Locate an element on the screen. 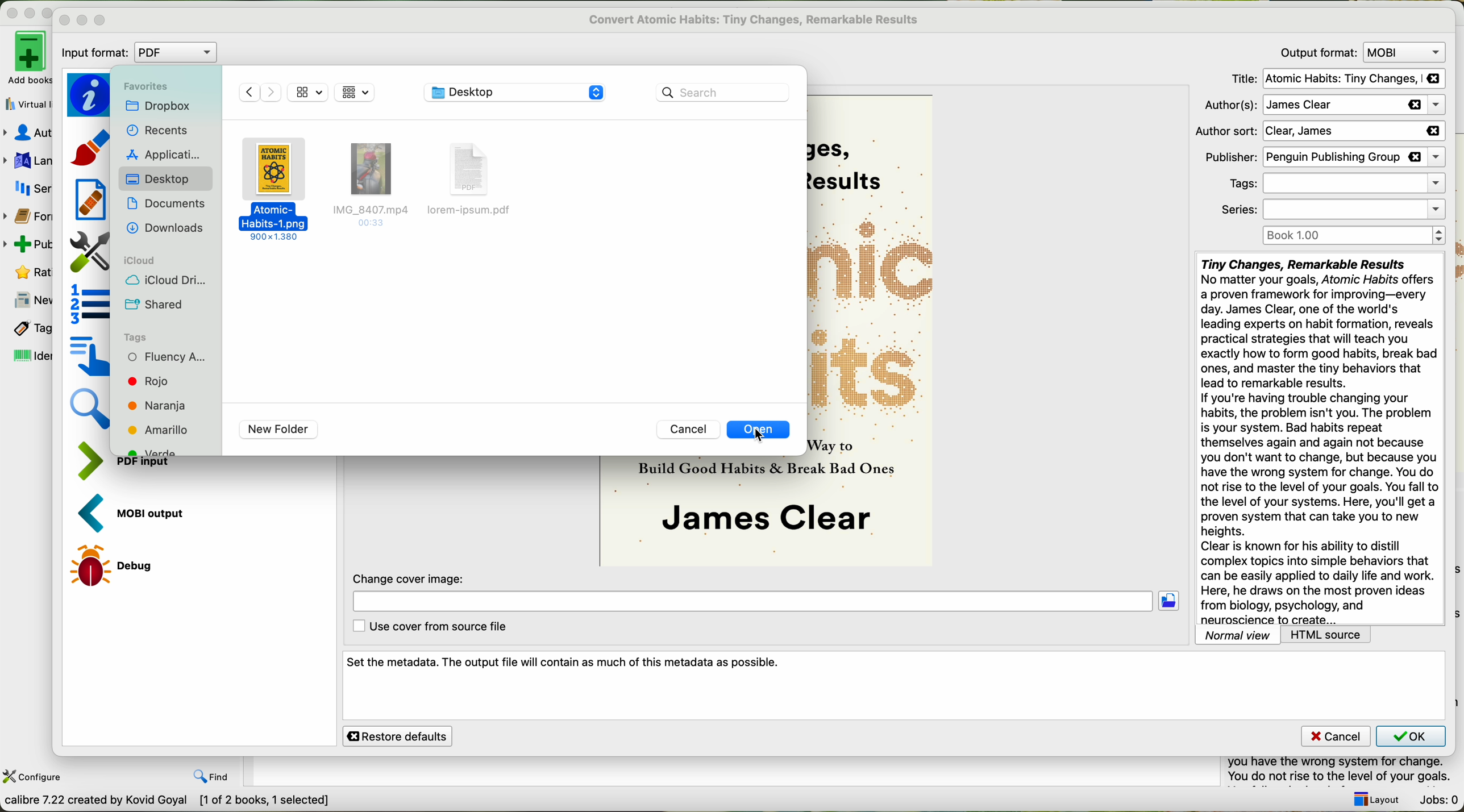 This screenshot has height=812, width=1464. summary is located at coordinates (1345, 771).